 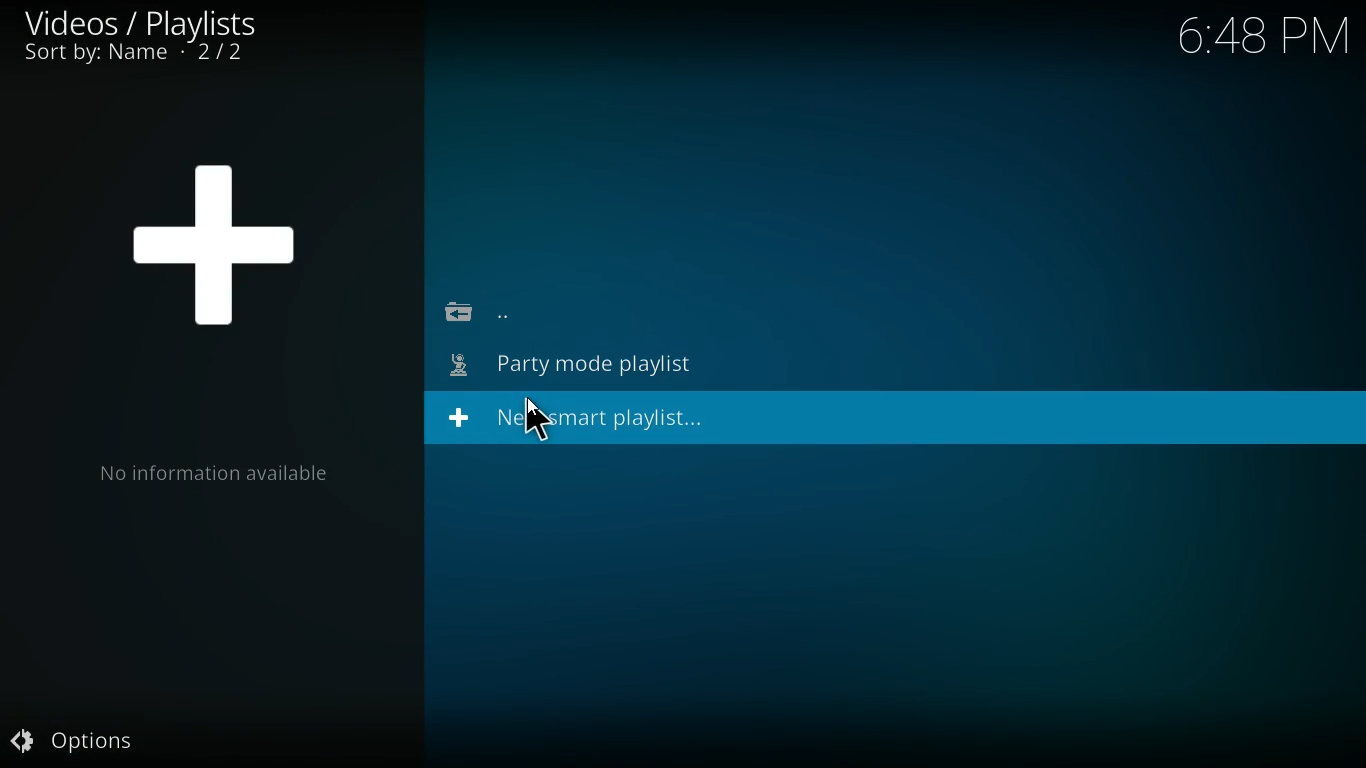 What do you see at coordinates (538, 419) in the screenshot?
I see `cursor` at bounding box center [538, 419].